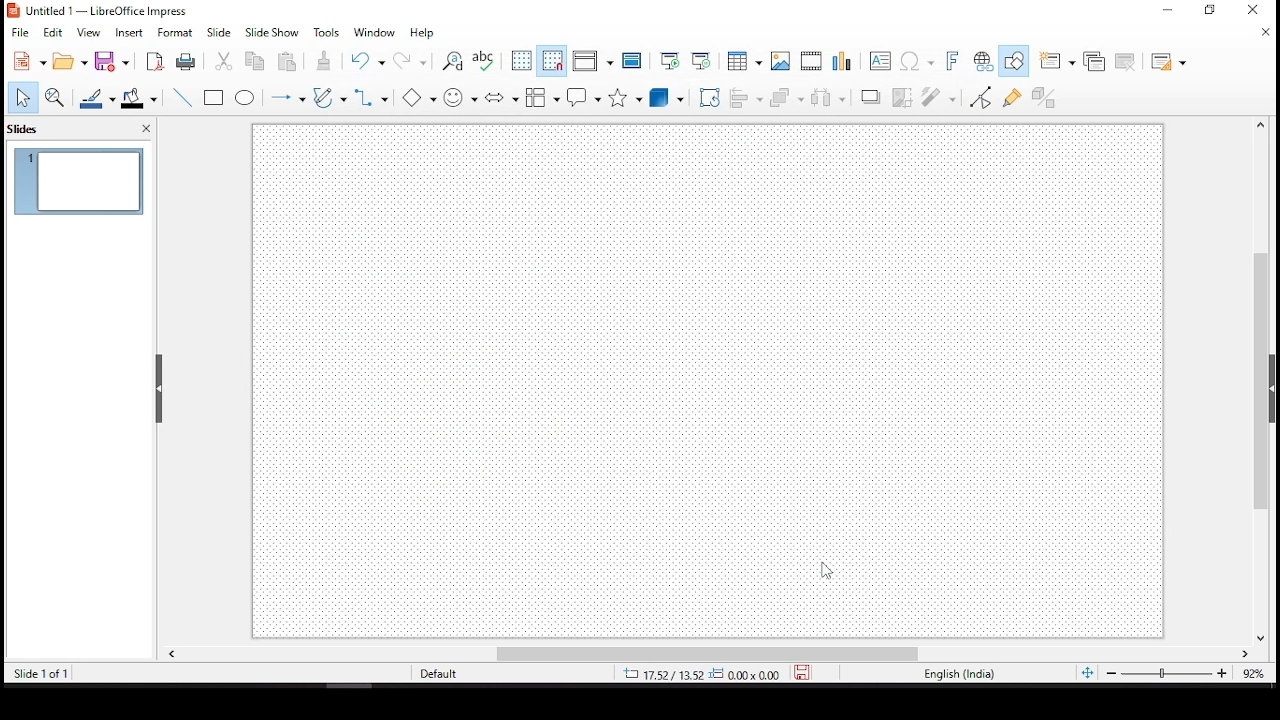 The width and height of the screenshot is (1280, 720). I want to click on crop image, so click(899, 97).